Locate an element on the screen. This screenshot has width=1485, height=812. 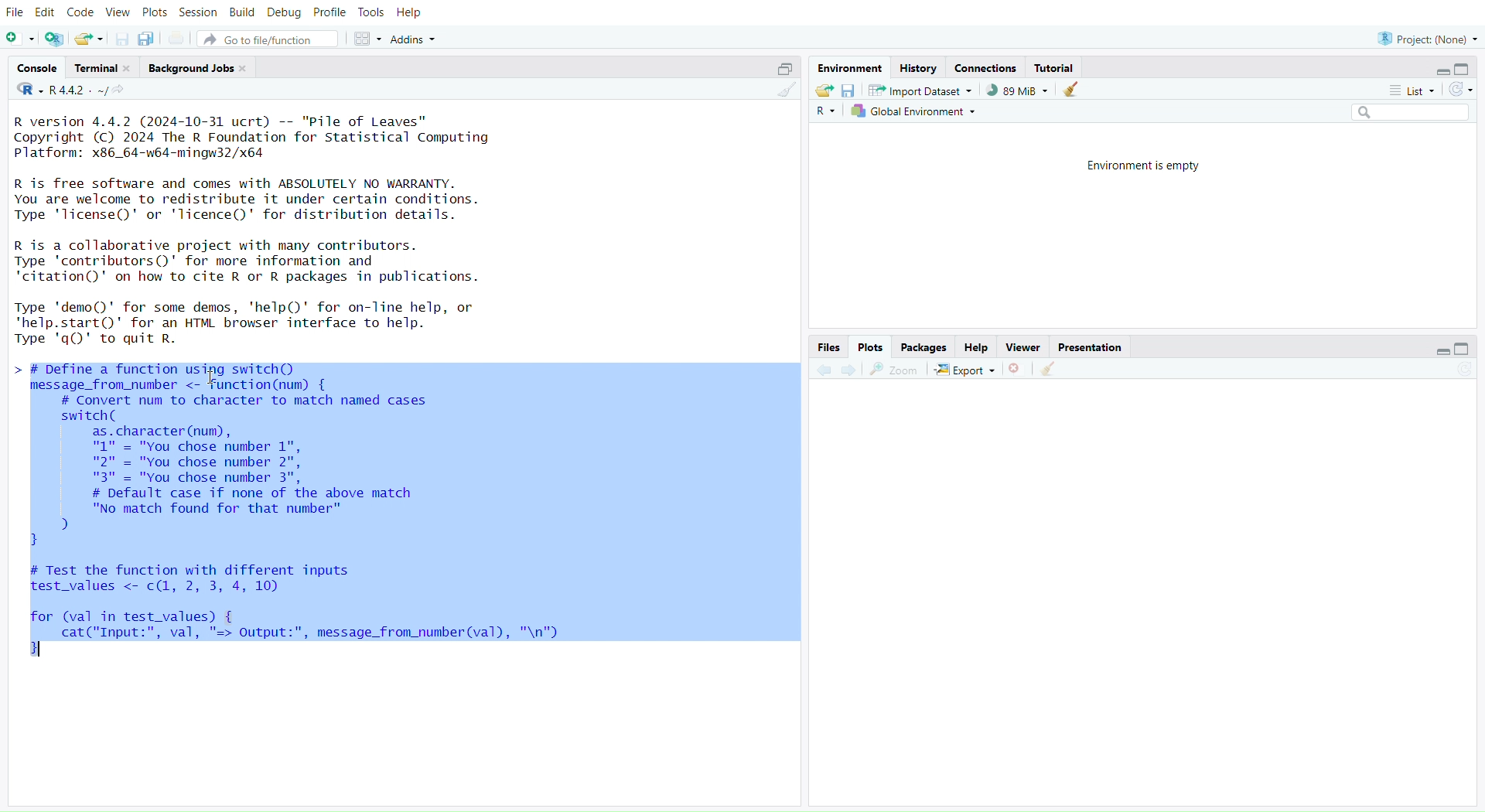
R version 4.4.2 (2024-10-31 ucrt) -- "Pile of Leaves"
Copyright (C) 2024 The R Foundation for Statistical Computing
Platform: x86_64-w64-mingw32/x64

R is free software and comes with ABSOLUTELY NO WARRANTY.
You are welcome to redistribute it under certain conditions.
Type 'license()' or 'licence()' for distribution details.

R is a collaborative project with many contributors.

Type 'contributors()' for more information and

"citation()' on how to cite R or R packages in publications.
Type 'demo()' for some demos, 'help()' for on-Tine help, or
"help.start()"' for an HTML browser interface to help.

Type 'qQ' to quit R. is located at coordinates (269, 234).